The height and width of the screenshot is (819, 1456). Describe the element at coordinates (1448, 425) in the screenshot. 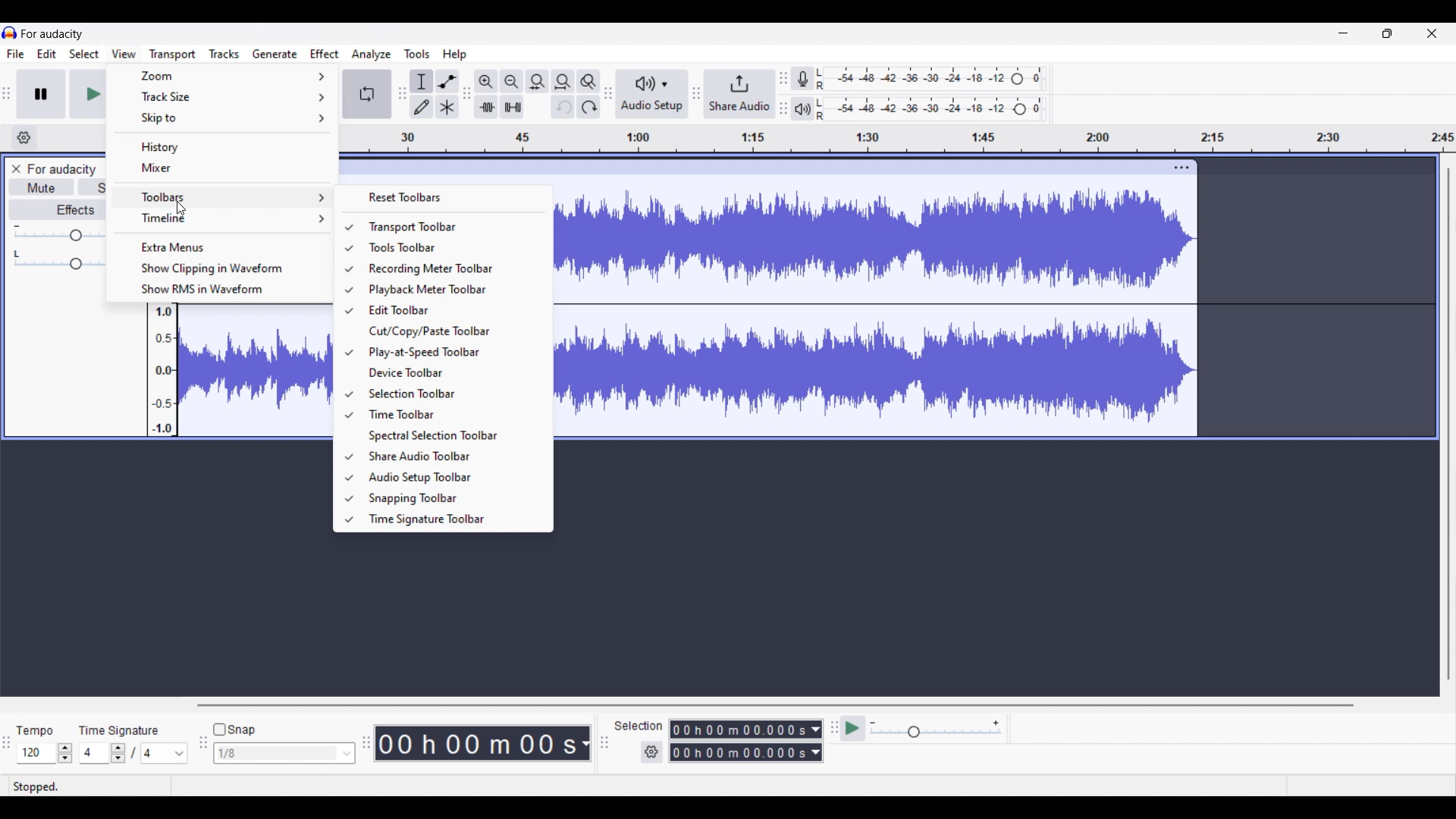

I see `Vertical slide bar` at that location.